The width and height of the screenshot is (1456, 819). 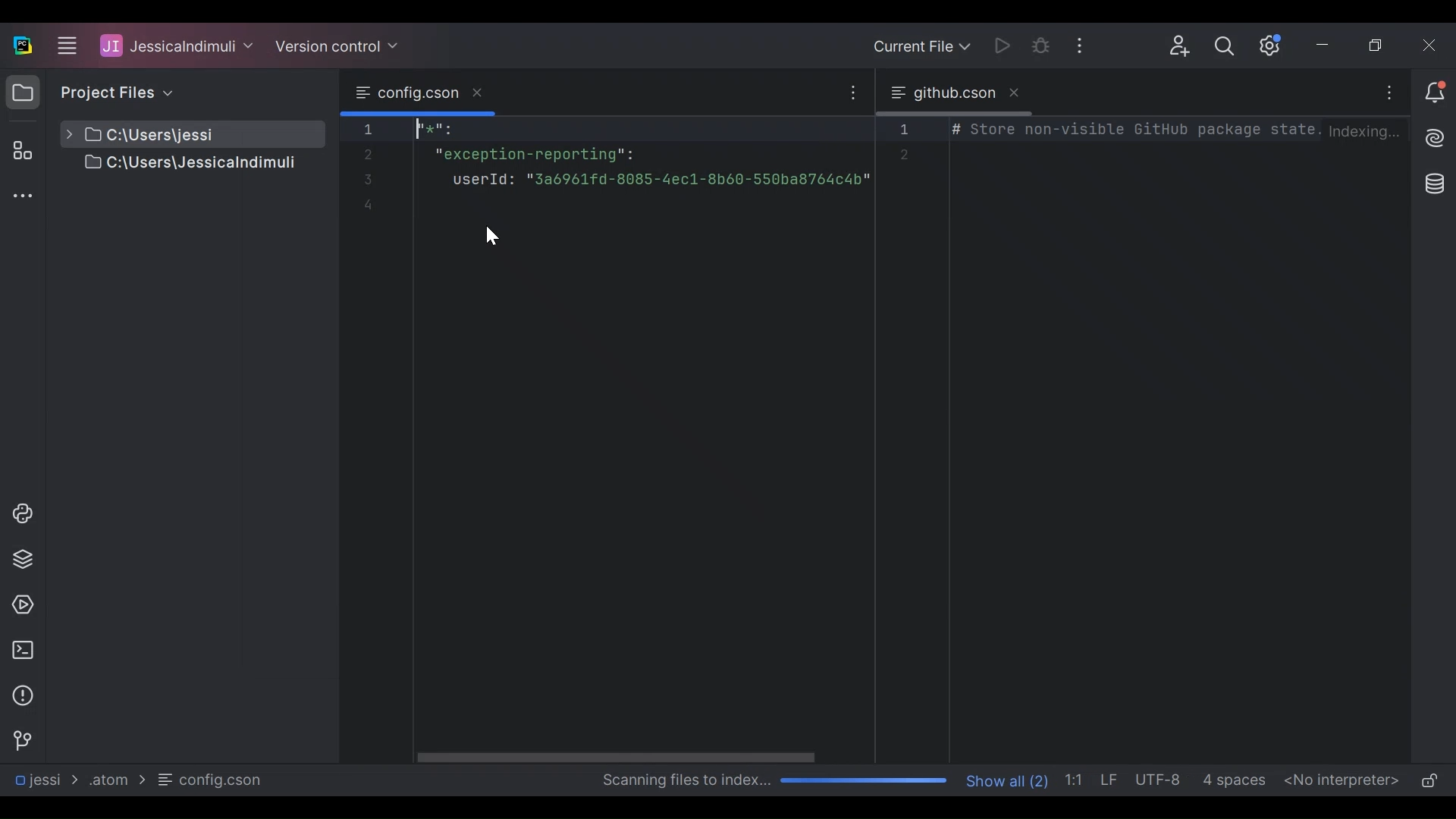 What do you see at coordinates (174, 165) in the screenshot?
I see `Project File` at bounding box center [174, 165].